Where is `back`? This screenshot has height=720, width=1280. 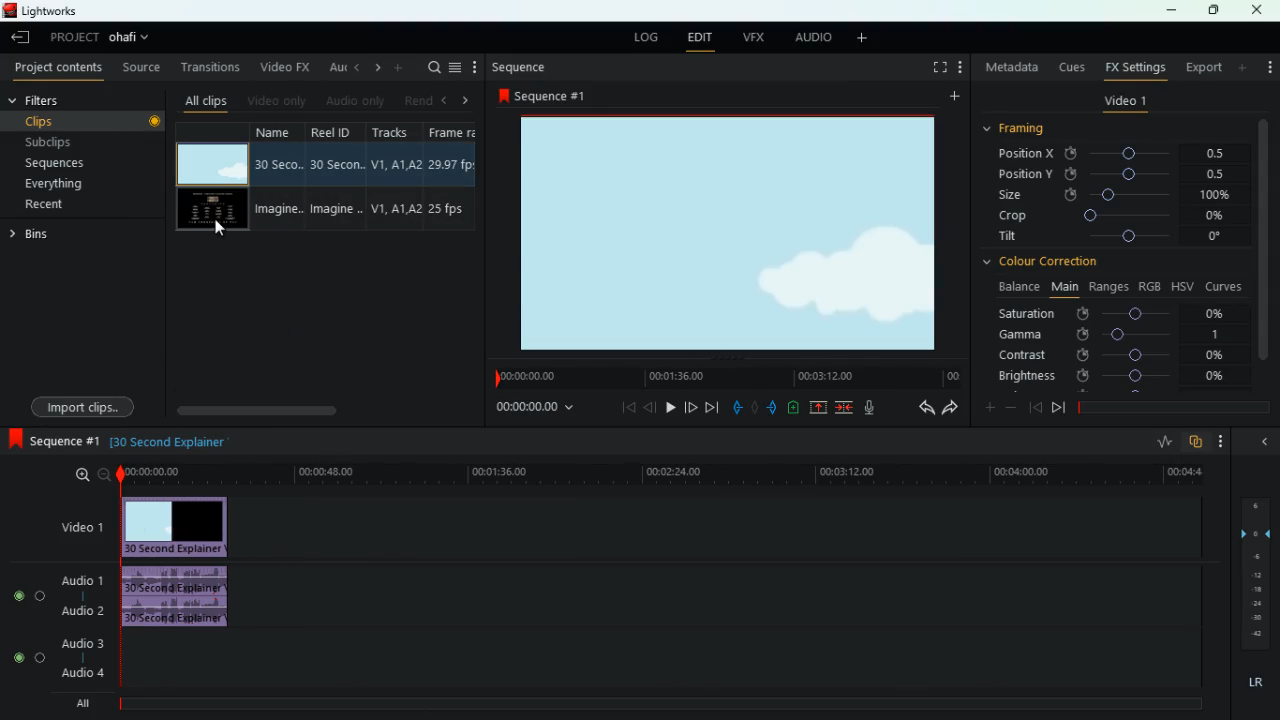
back is located at coordinates (650, 407).